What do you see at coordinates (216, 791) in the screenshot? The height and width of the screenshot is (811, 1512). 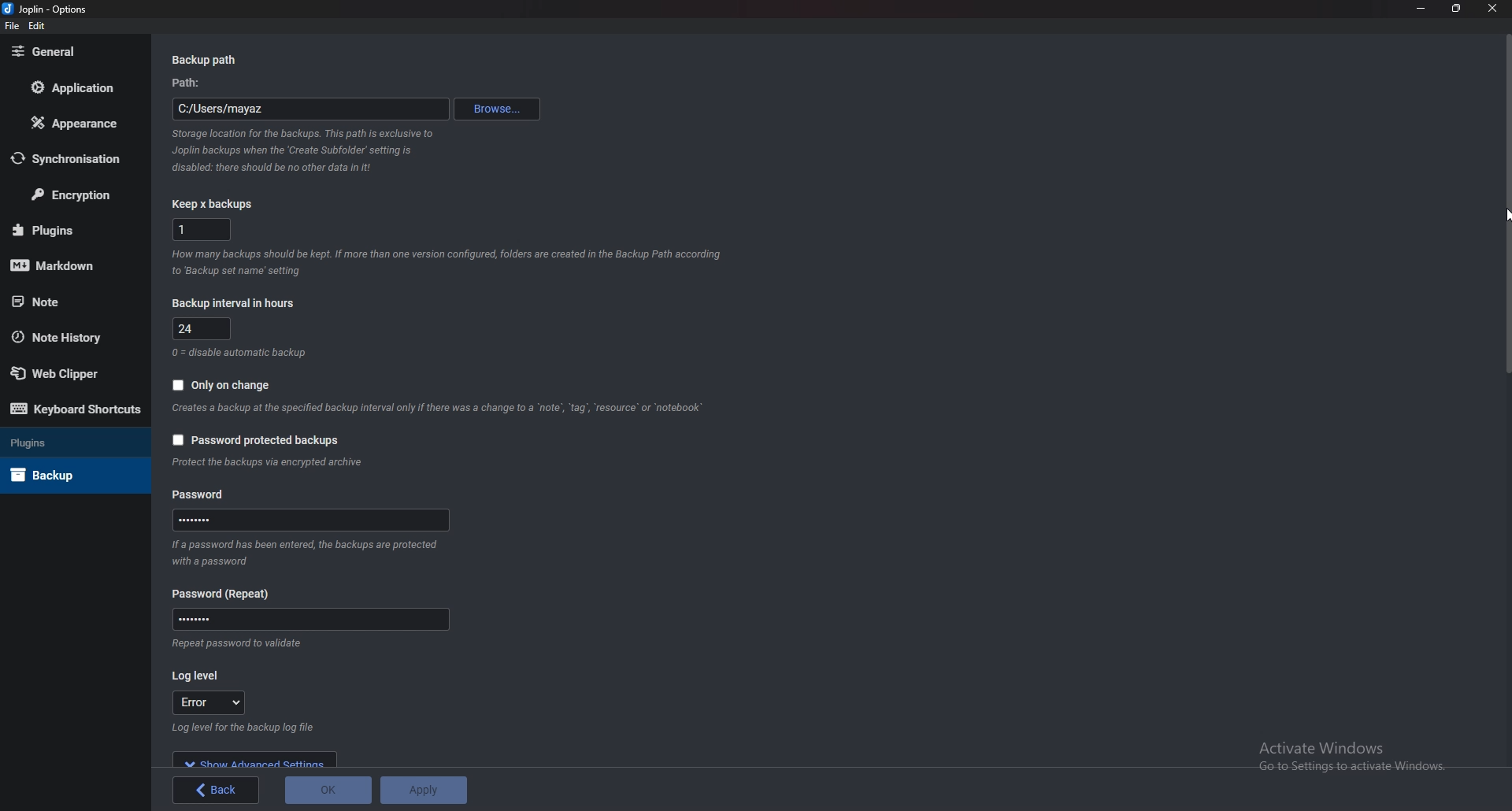 I see `back` at bounding box center [216, 791].